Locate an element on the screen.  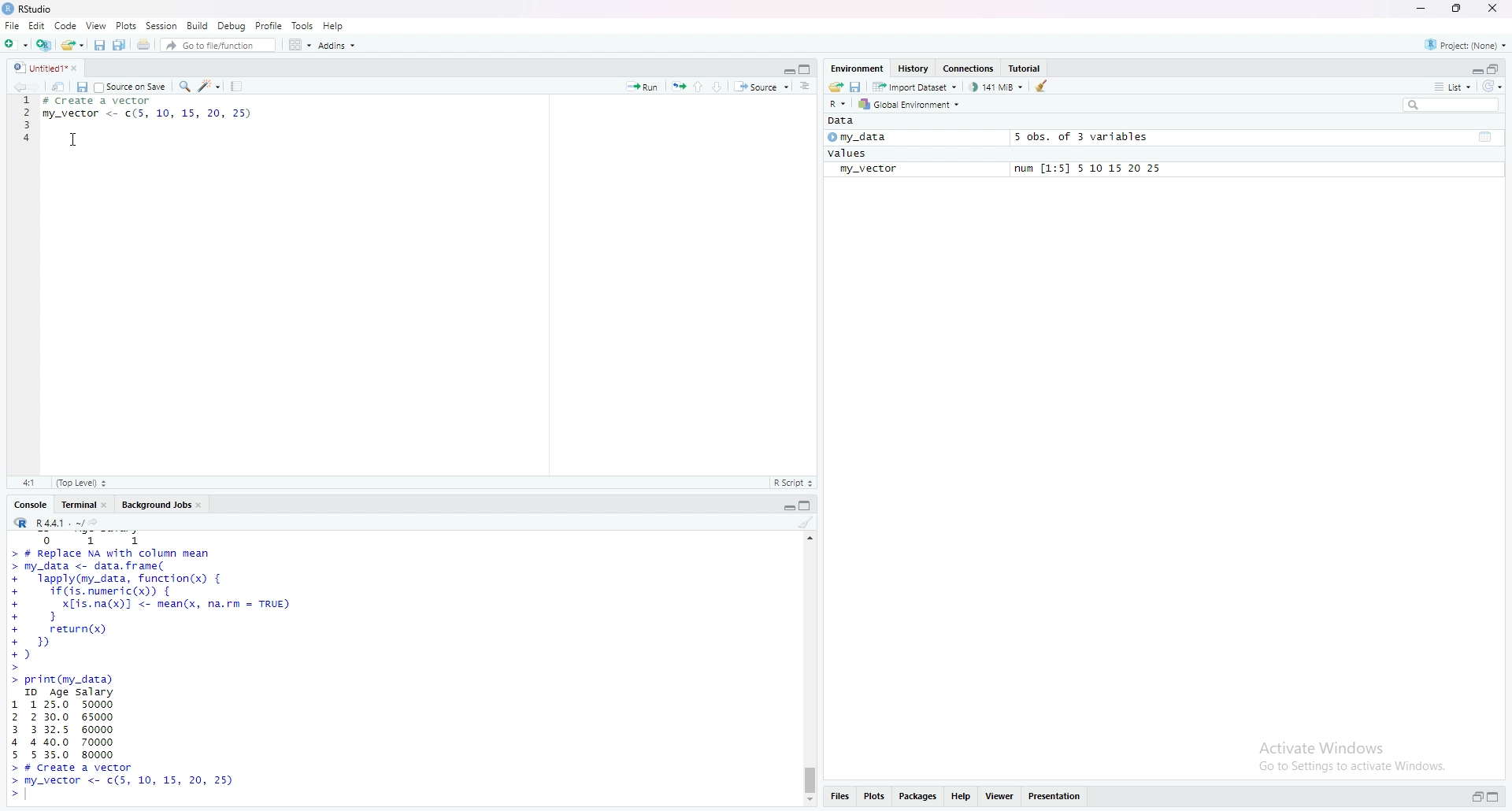
help is located at coordinates (963, 794).